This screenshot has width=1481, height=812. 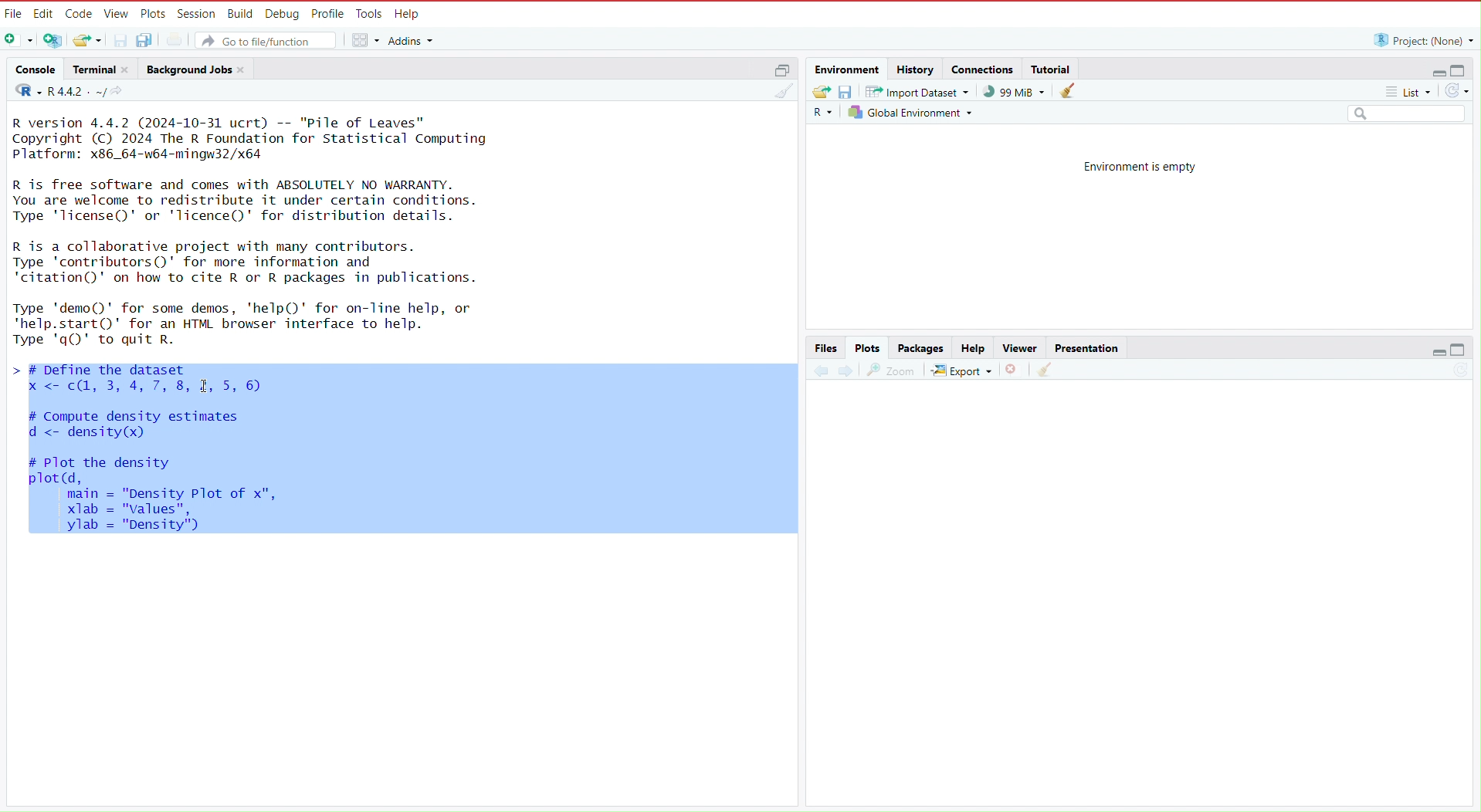 I want to click on save all open documents, so click(x=147, y=41).